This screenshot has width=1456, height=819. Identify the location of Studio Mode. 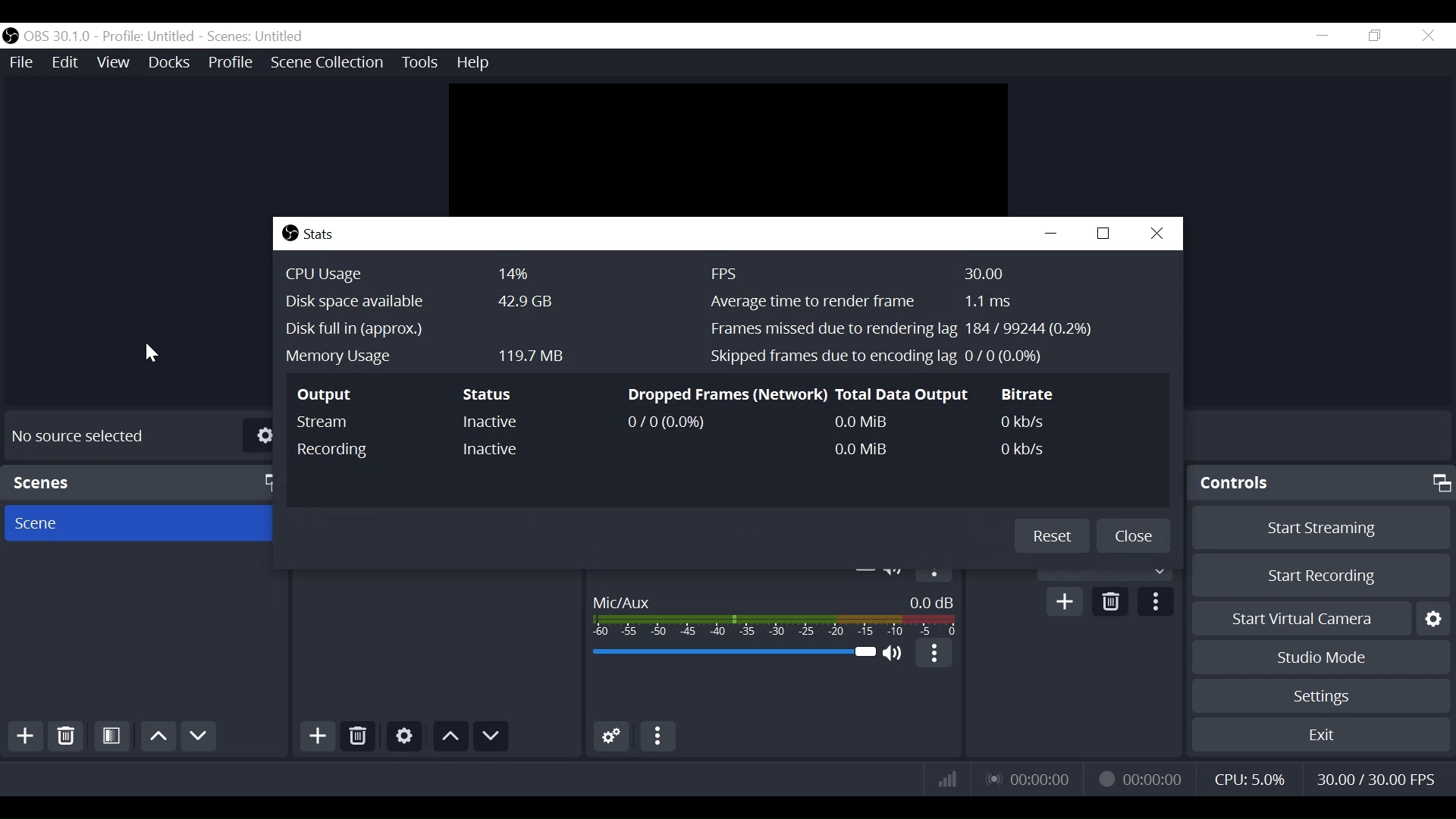
(1323, 659).